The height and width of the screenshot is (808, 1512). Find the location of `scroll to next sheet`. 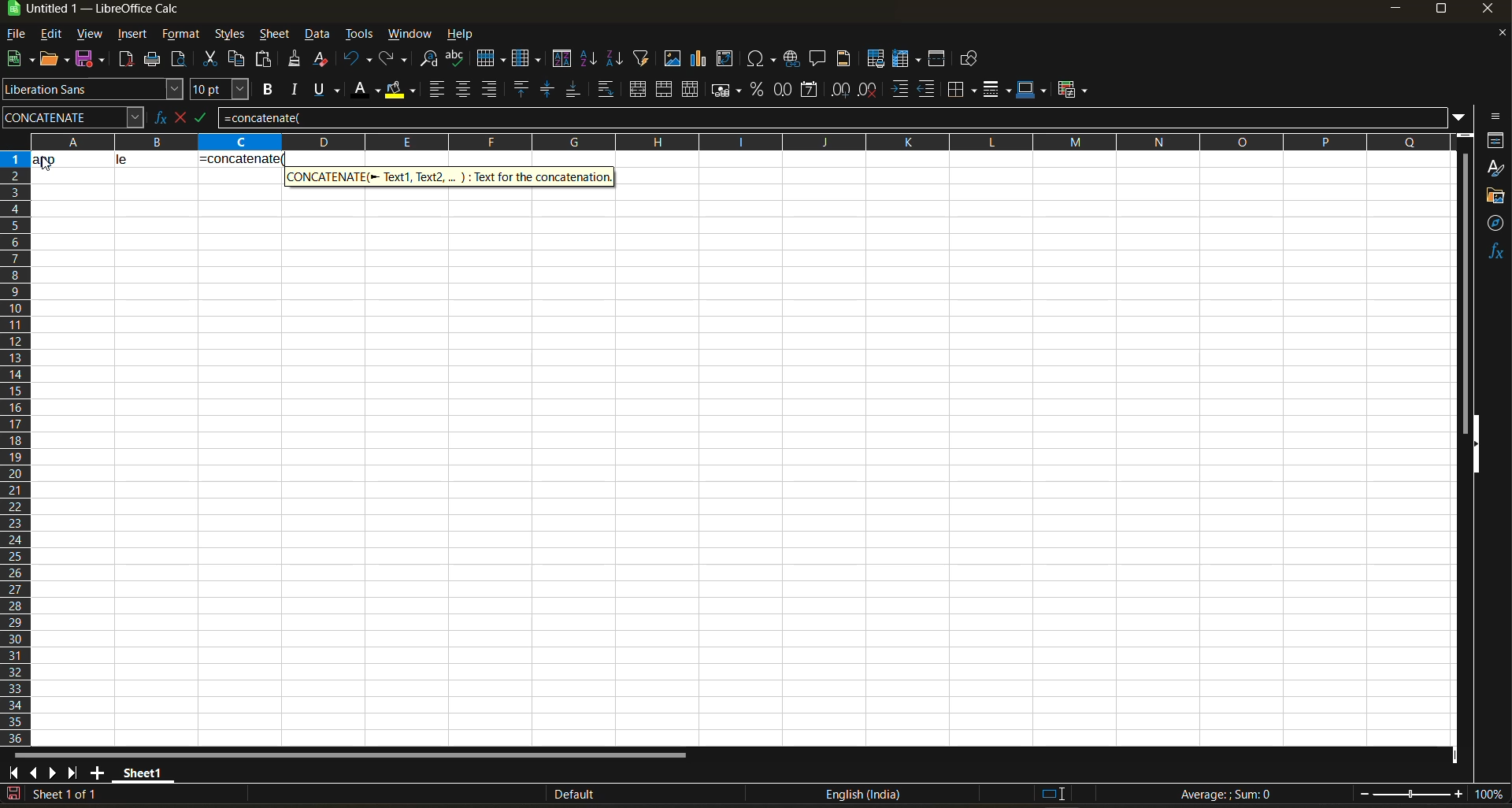

scroll to next sheet is located at coordinates (51, 773).